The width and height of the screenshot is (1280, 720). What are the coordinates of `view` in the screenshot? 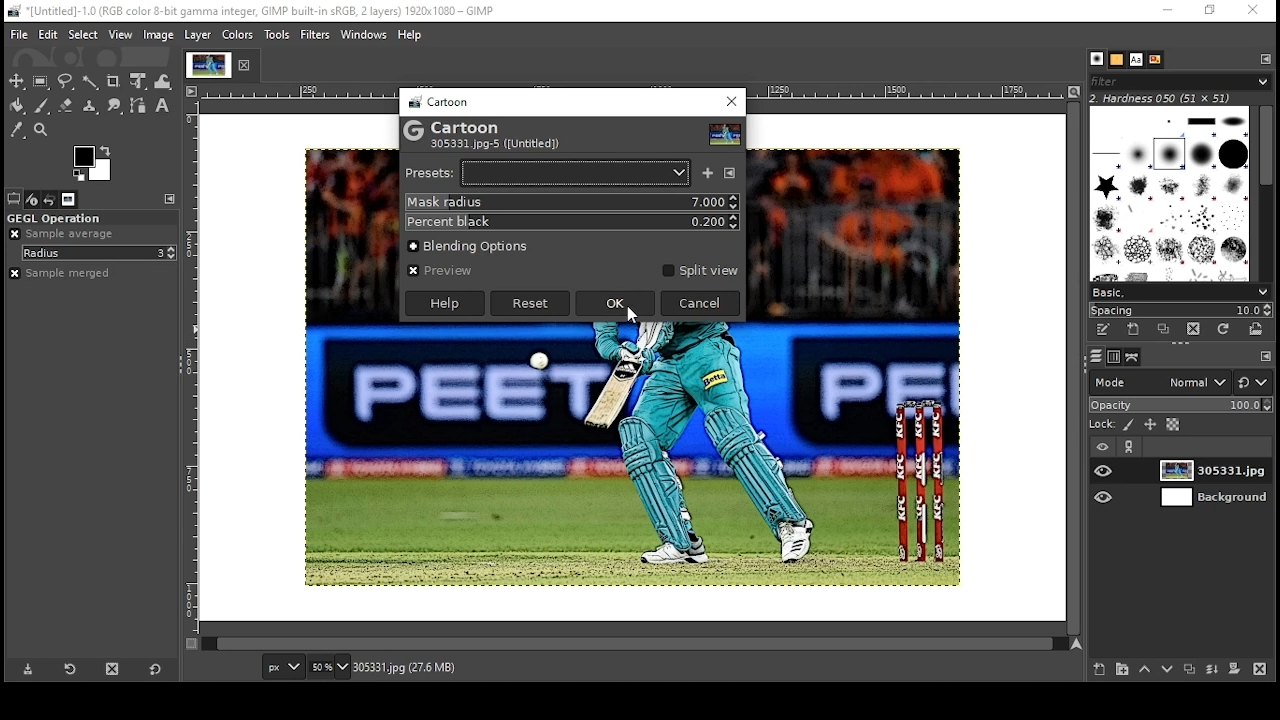 It's located at (120, 34).